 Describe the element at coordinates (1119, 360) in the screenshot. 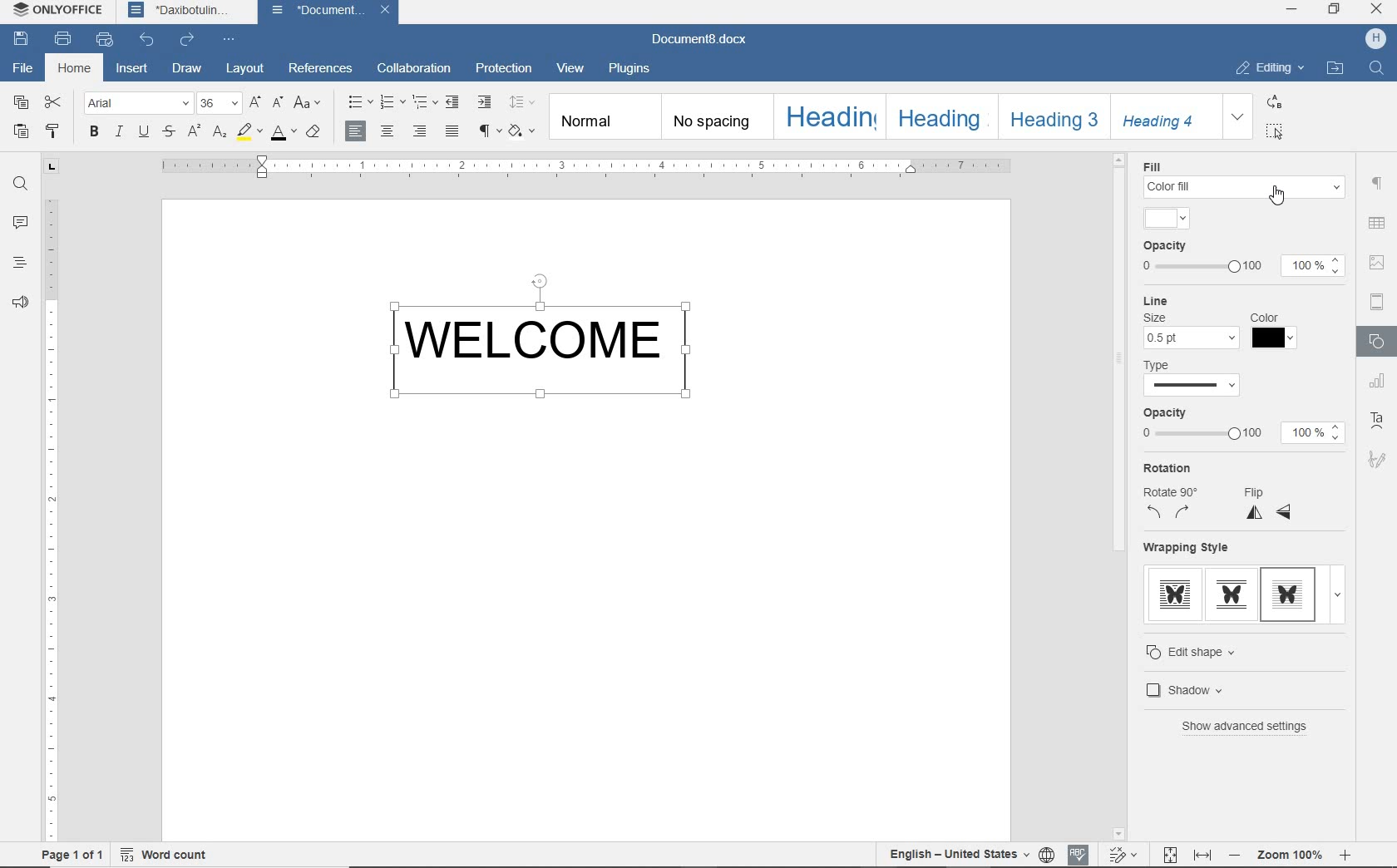

I see `Scroll bar` at that location.